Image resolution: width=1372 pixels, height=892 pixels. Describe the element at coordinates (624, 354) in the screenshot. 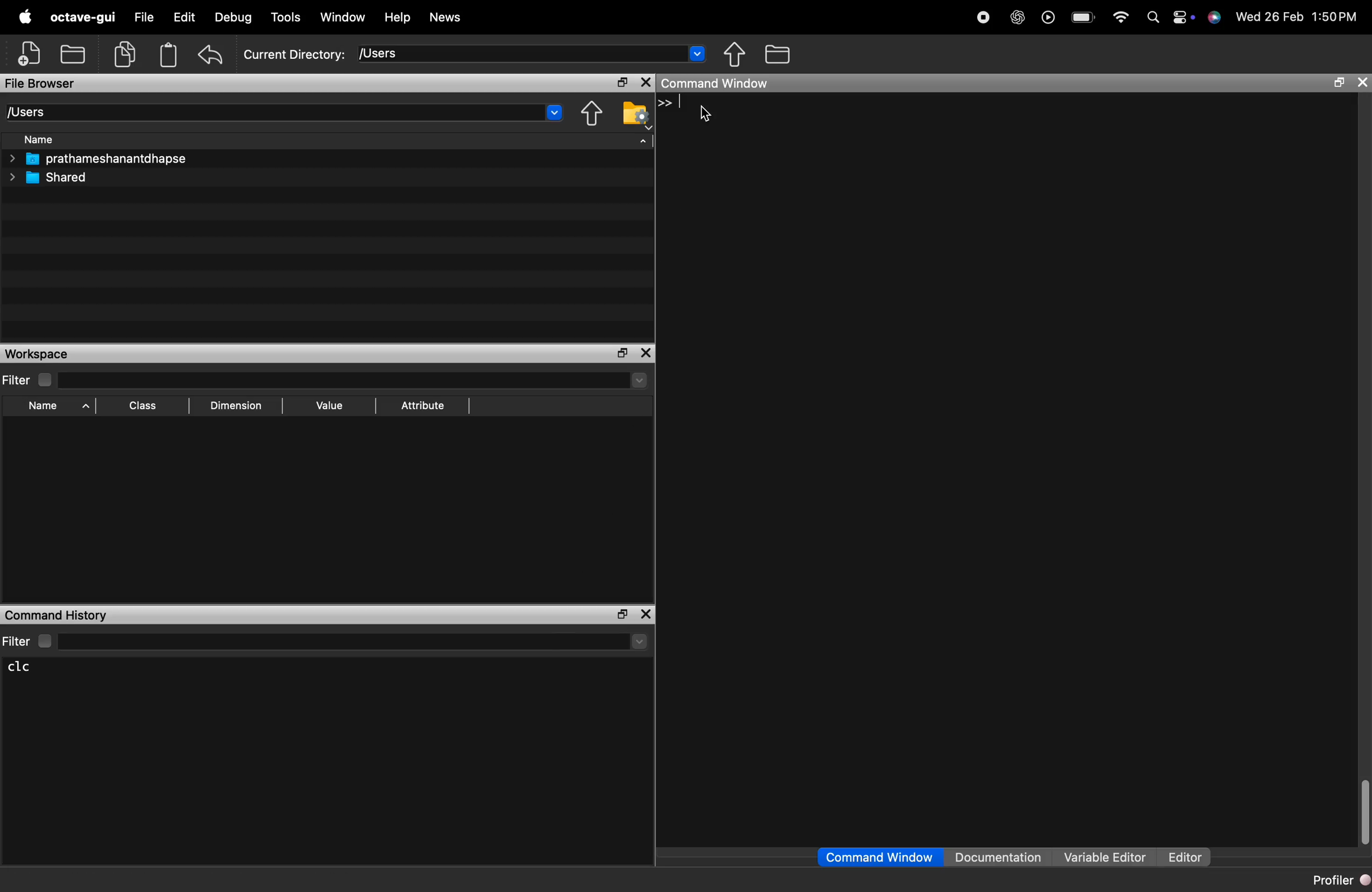

I see `Maximize` at that location.